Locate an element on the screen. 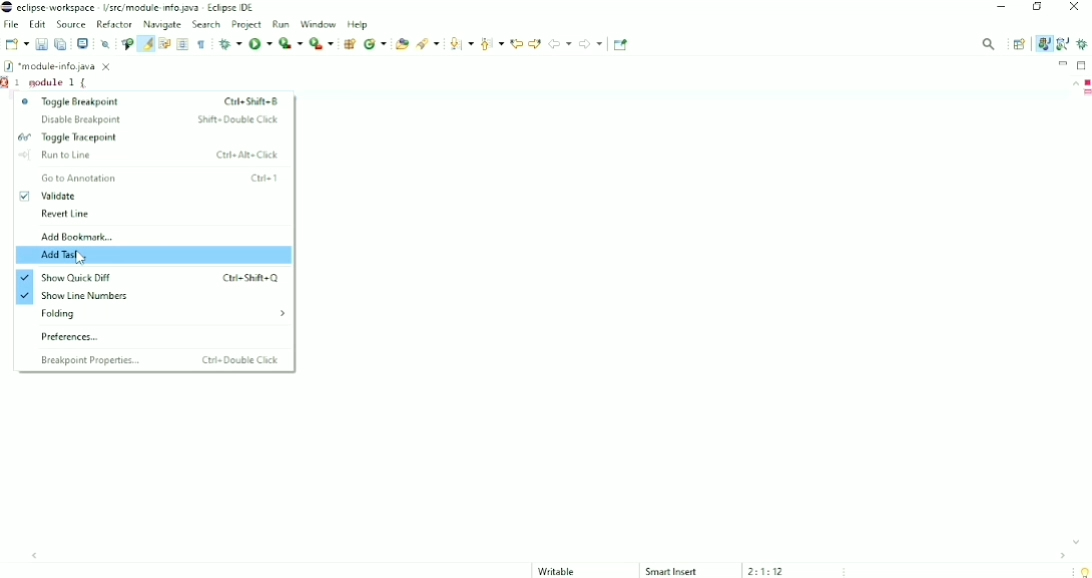  Debug is located at coordinates (230, 44).